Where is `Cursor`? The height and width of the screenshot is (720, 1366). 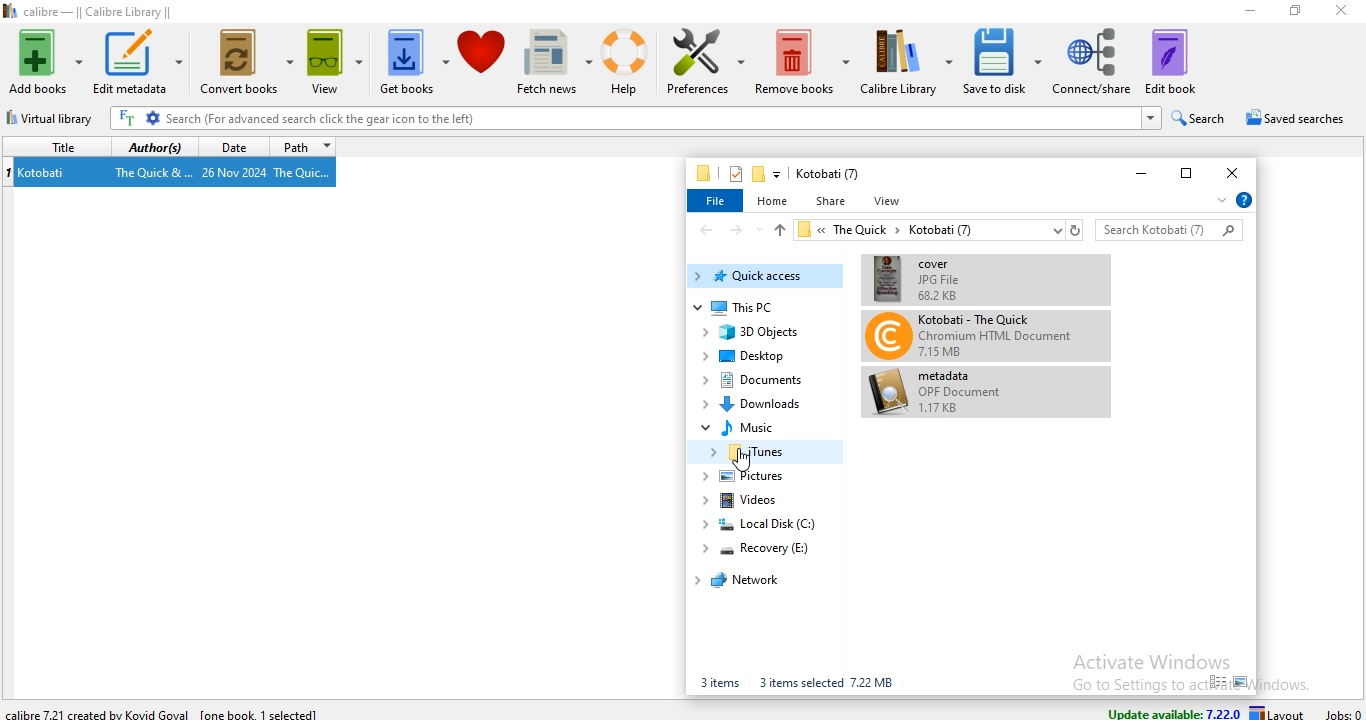
Cursor is located at coordinates (743, 460).